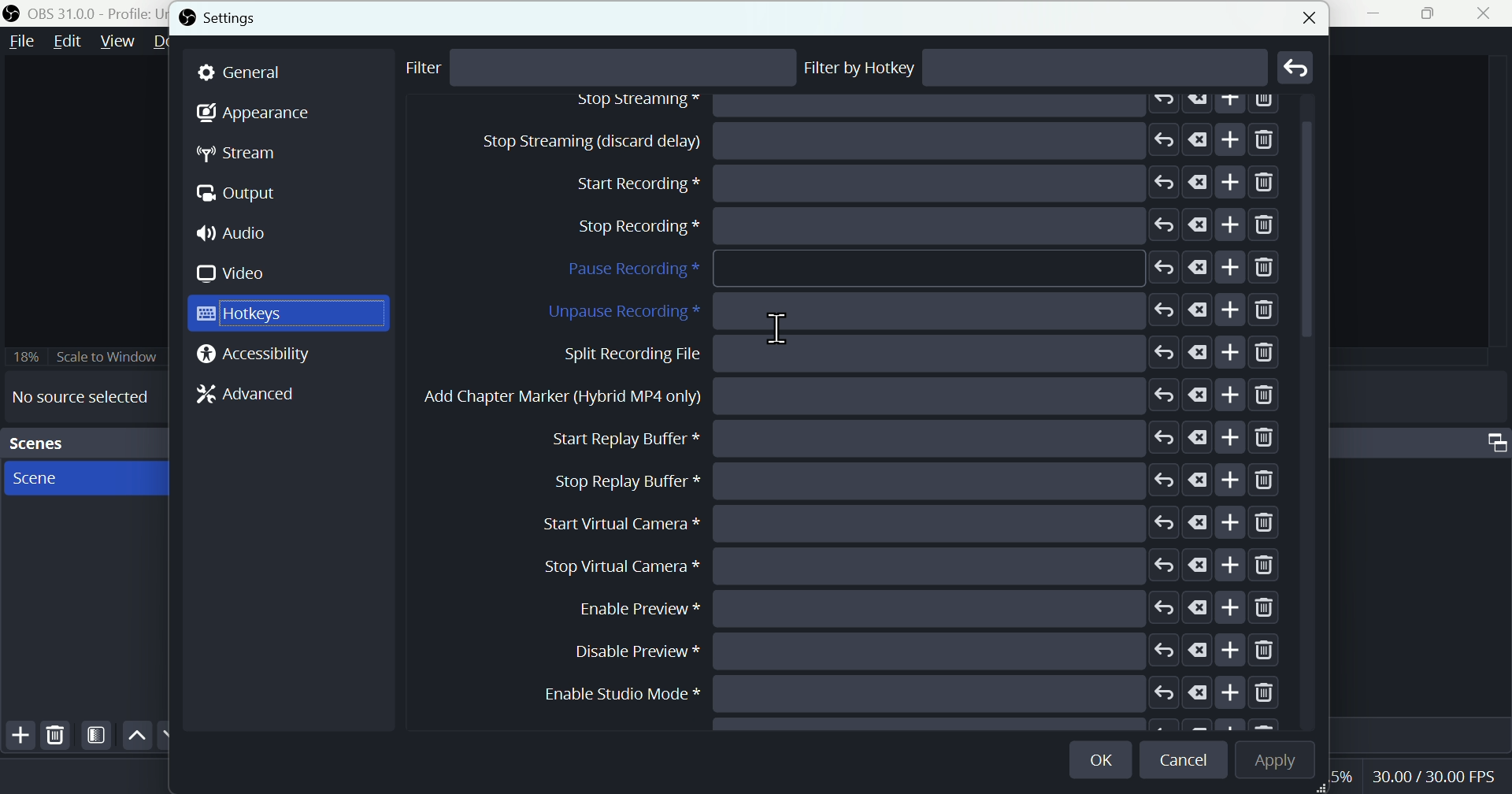  What do you see at coordinates (97, 736) in the screenshot?
I see `Filter` at bounding box center [97, 736].